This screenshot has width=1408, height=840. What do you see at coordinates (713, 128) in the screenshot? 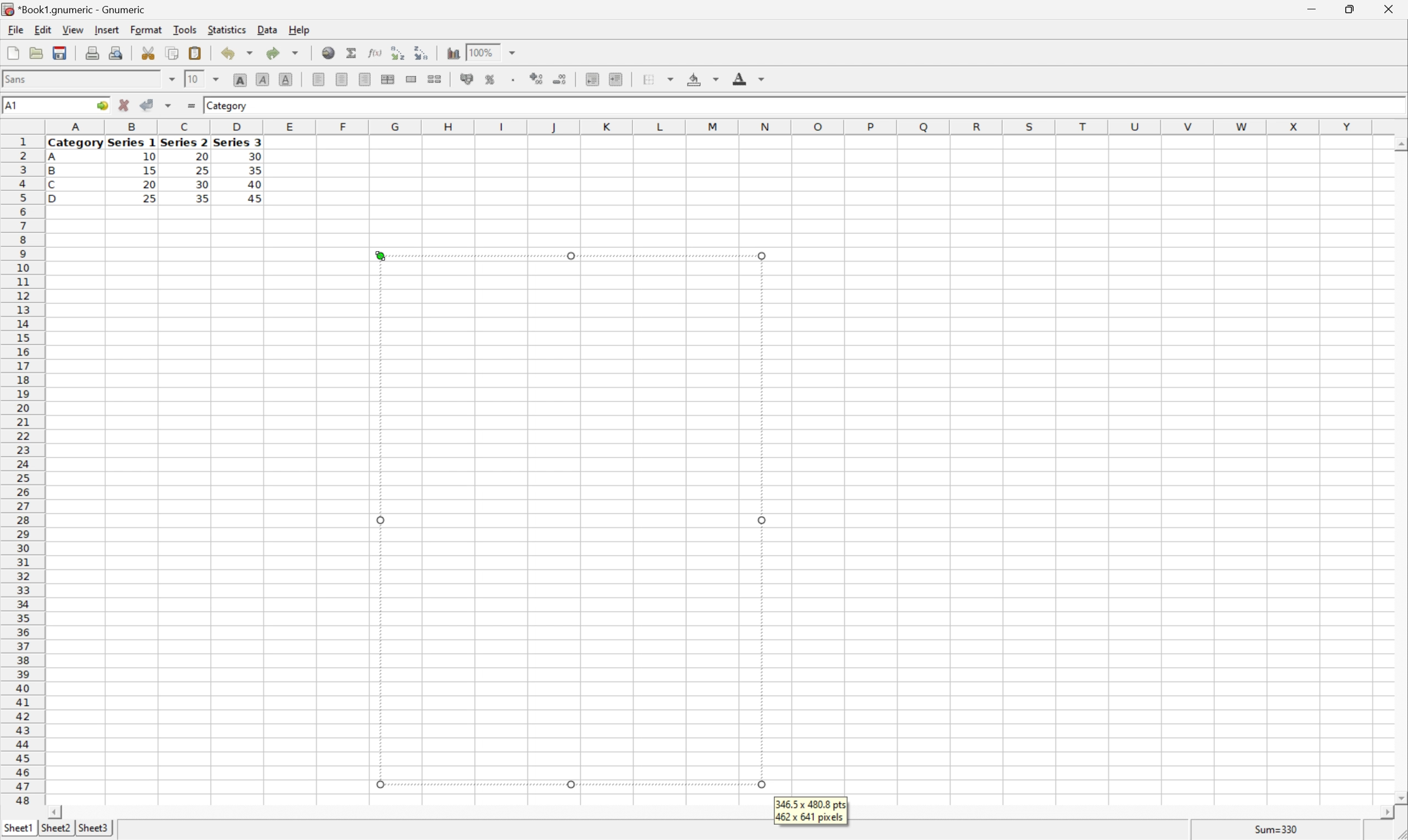
I see `Column names` at bounding box center [713, 128].